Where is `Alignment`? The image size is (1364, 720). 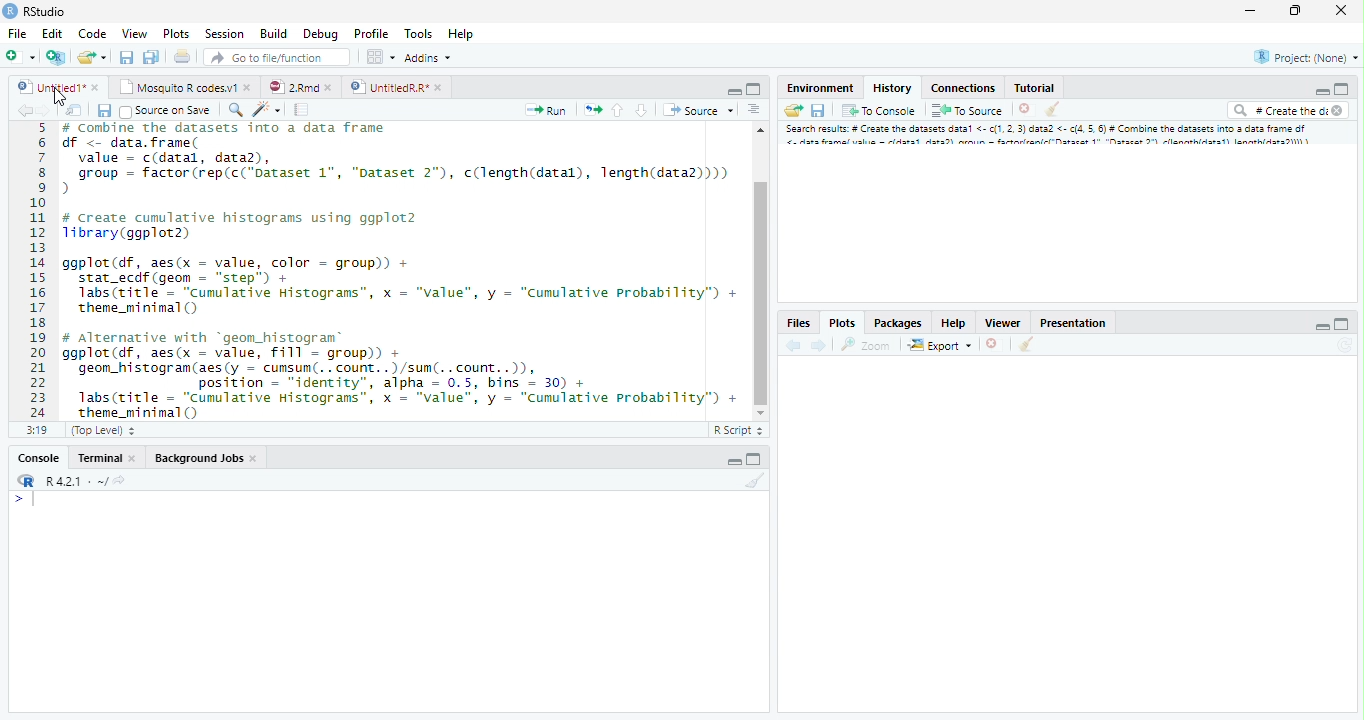
Alignment is located at coordinates (755, 113).